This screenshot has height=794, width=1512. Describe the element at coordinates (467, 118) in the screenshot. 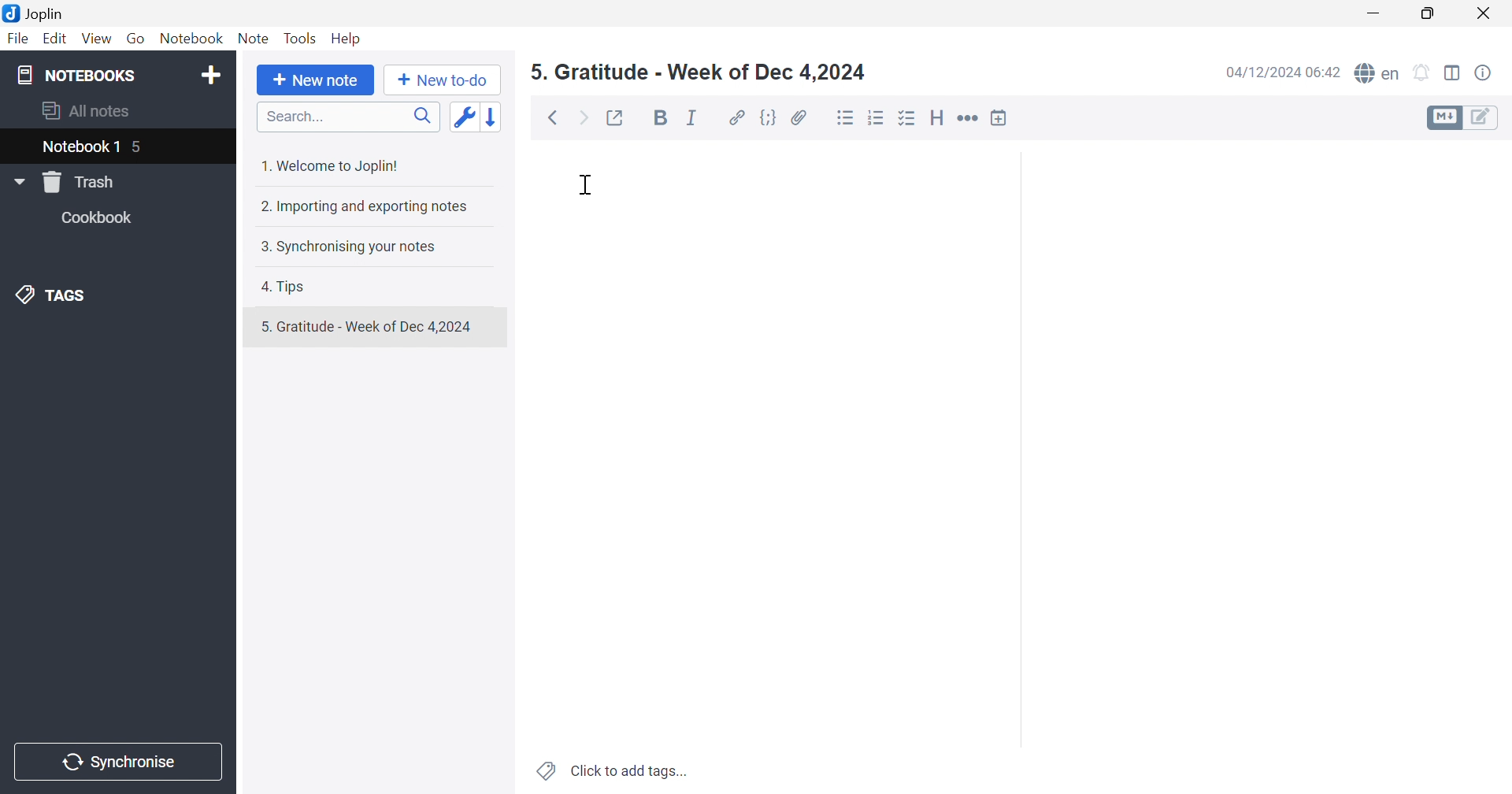

I see `Toggle sort order field` at that location.